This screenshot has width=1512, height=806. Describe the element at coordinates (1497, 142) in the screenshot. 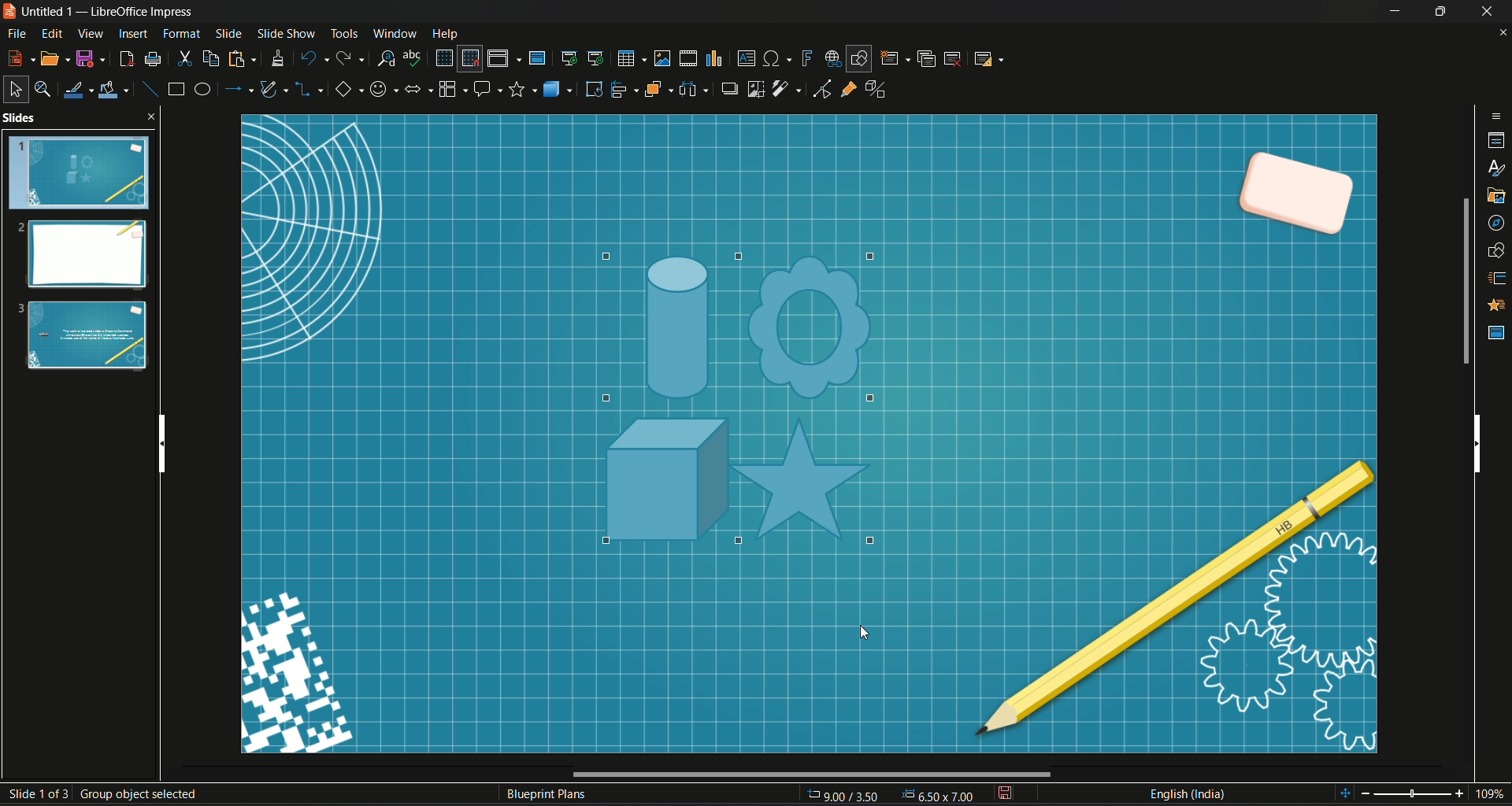

I see `properties` at that location.